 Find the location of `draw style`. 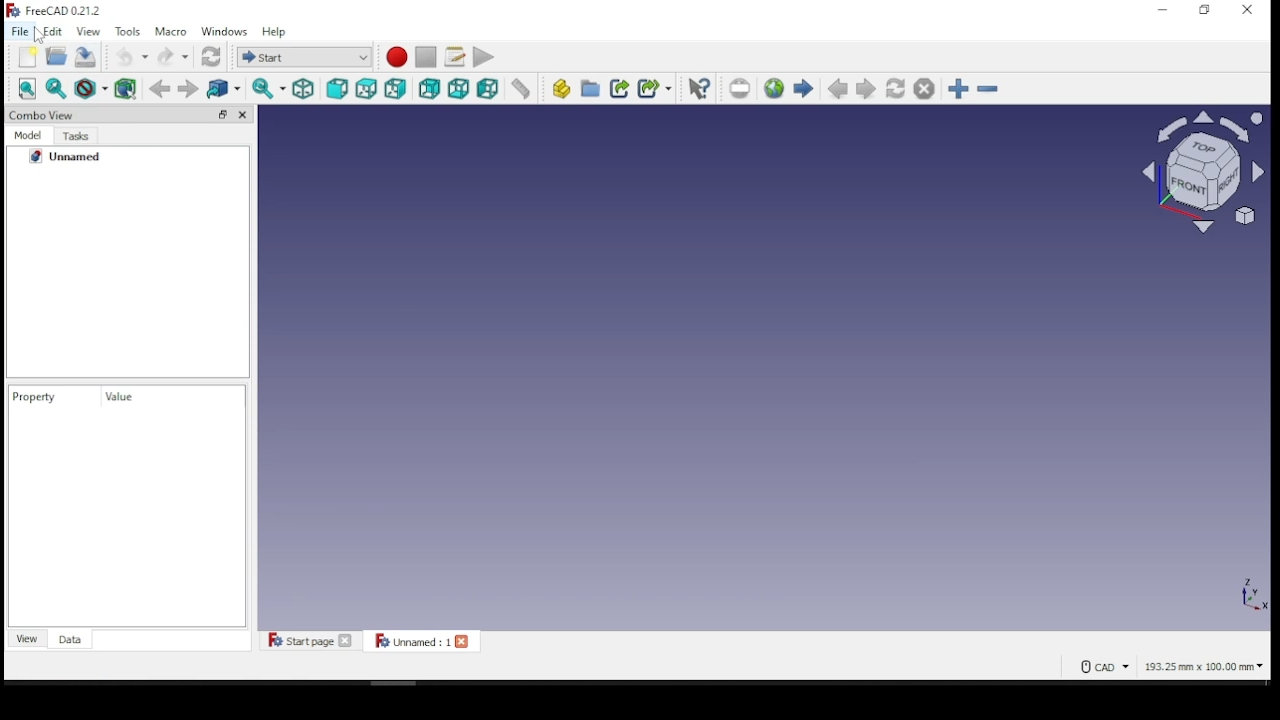

draw style is located at coordinates (85, 88).